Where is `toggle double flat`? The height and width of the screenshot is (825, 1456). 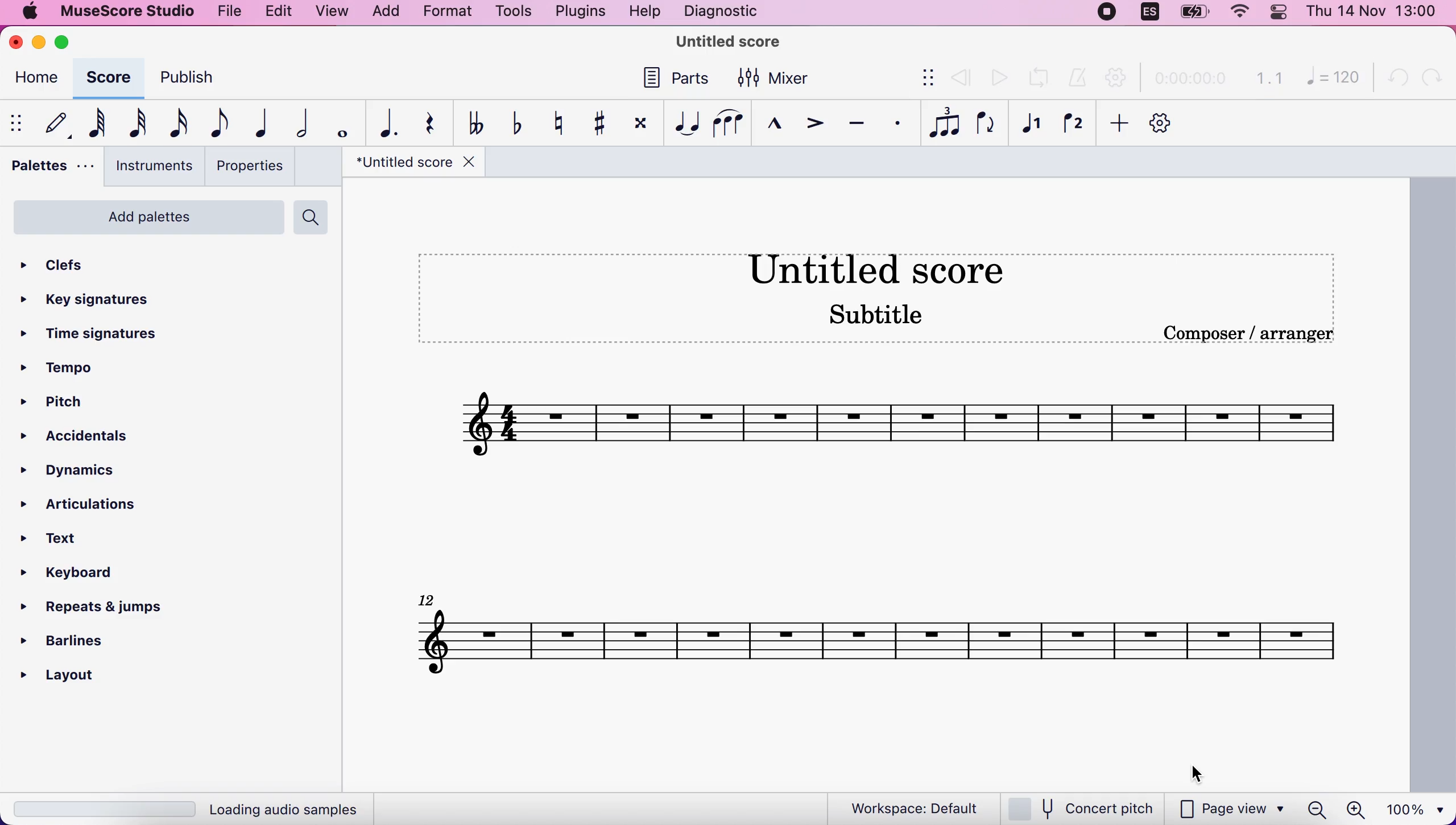 toggle double flat is located at coordinates (470, 125).